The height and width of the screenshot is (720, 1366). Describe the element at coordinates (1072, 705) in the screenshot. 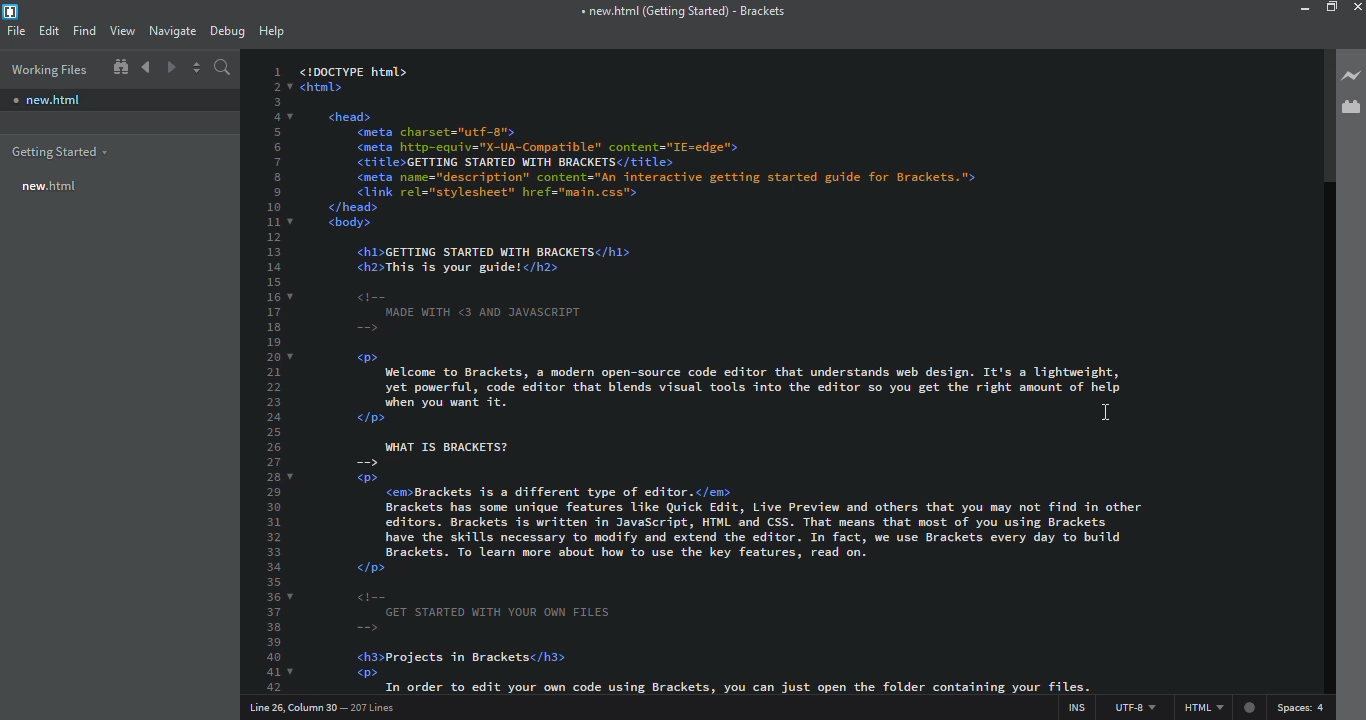

I see `ins` at that location.